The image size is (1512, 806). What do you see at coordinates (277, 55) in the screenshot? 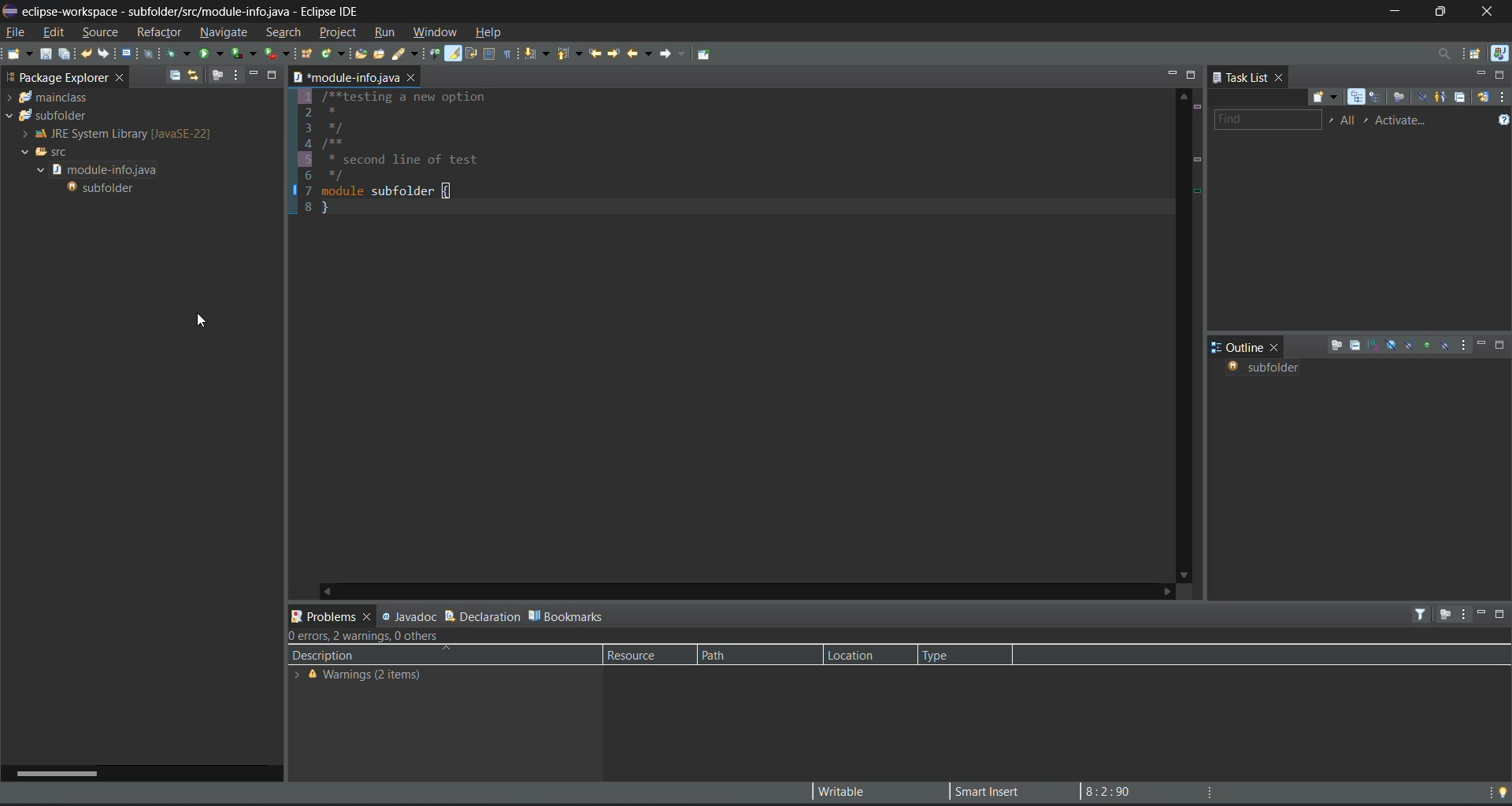
I see `run last tool` at bounding box center [277, 55].